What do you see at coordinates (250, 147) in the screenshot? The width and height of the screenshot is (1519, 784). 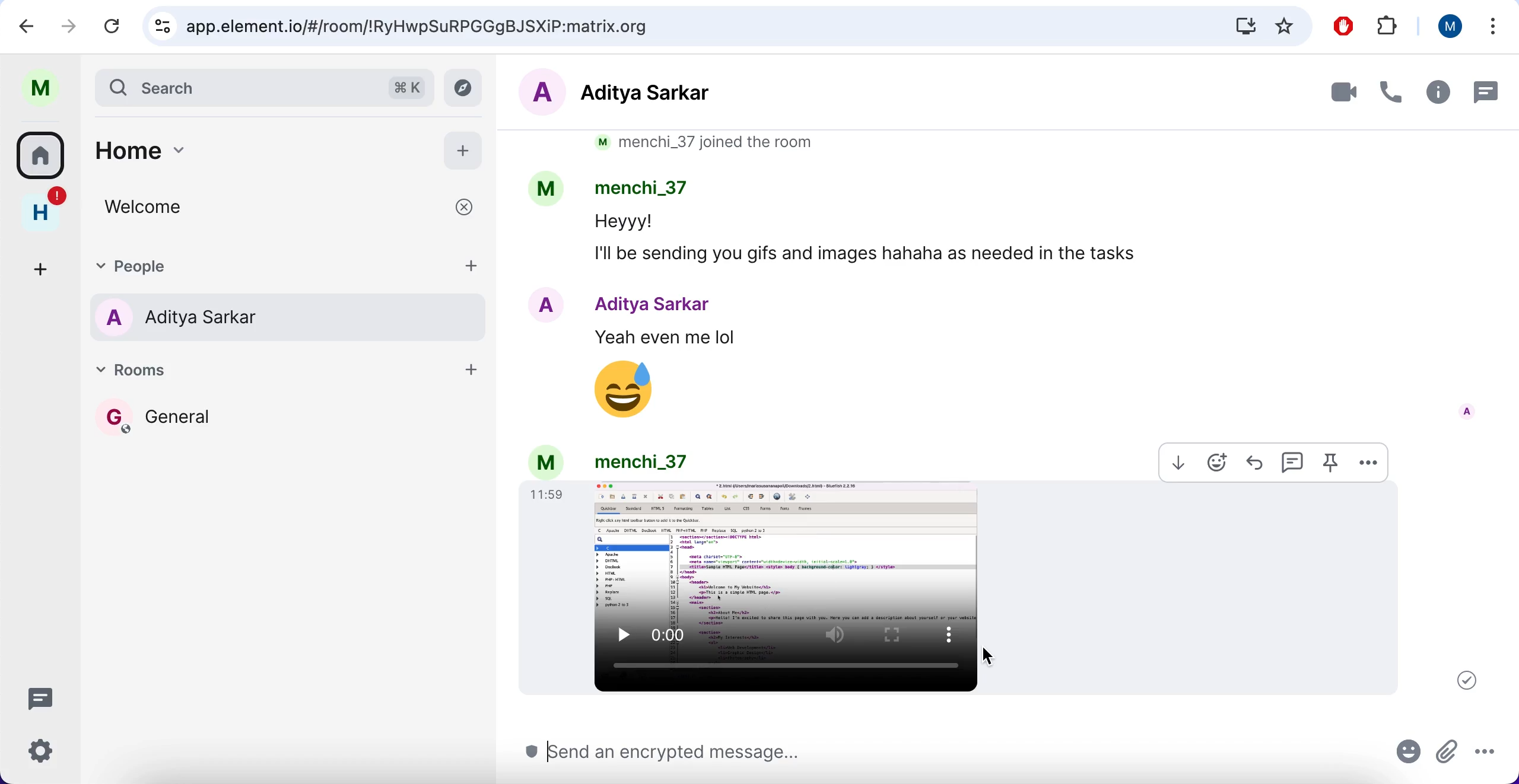 I see `home` at bounding box center [250, 147].